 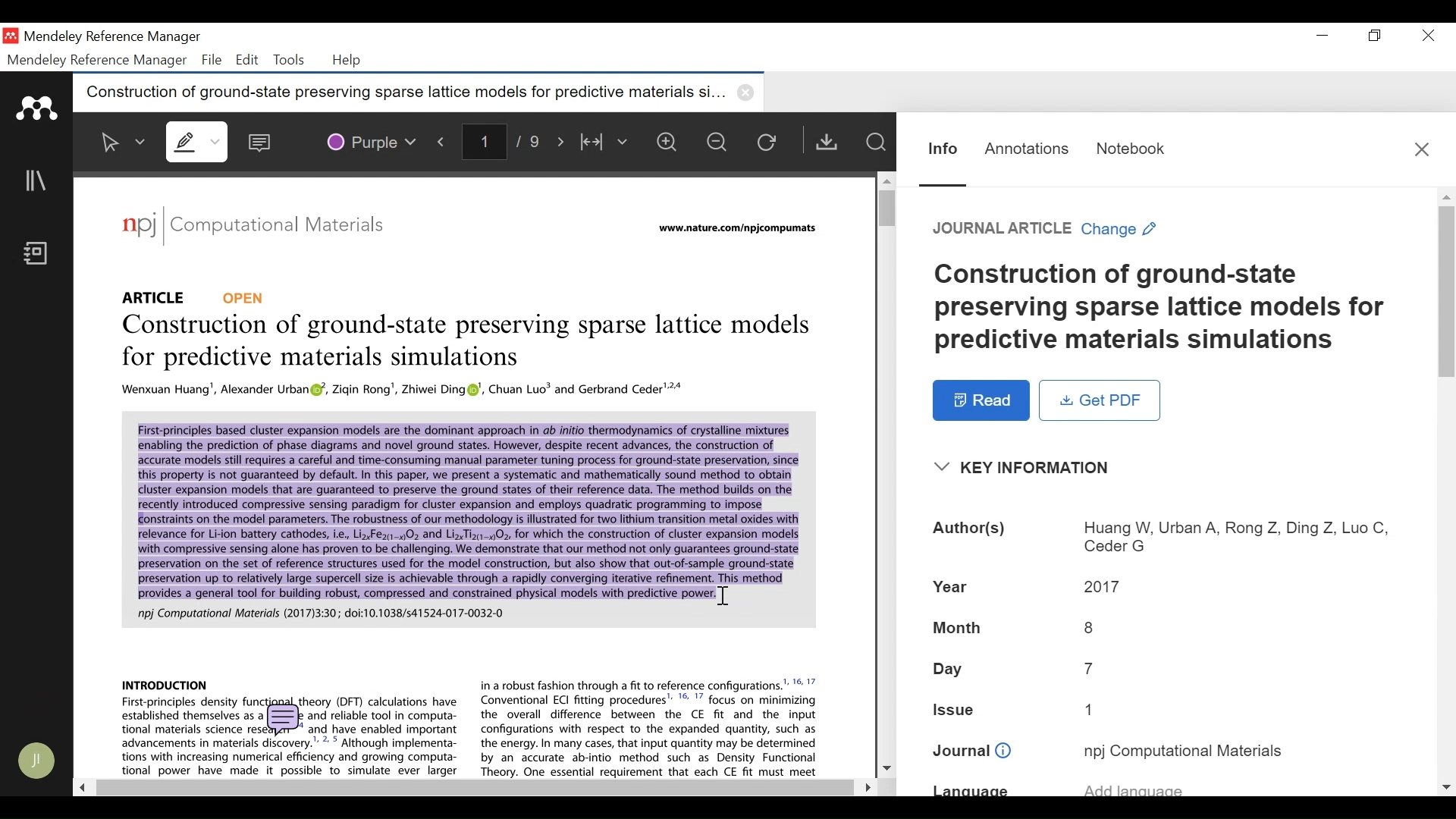 I want to click on Edit, so click(x=245, y=60).